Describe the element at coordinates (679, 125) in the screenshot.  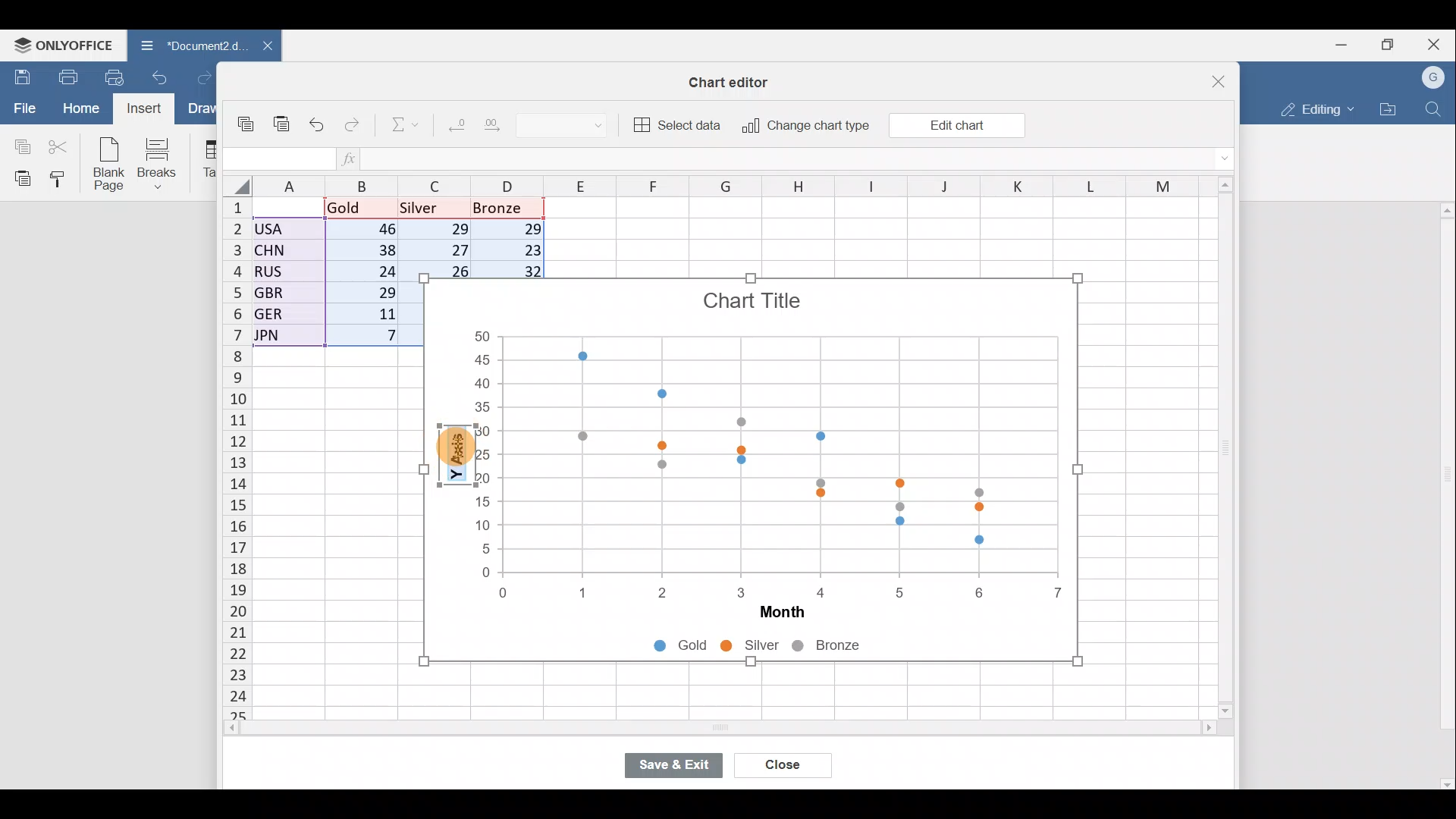
I see `Select data` at that location.